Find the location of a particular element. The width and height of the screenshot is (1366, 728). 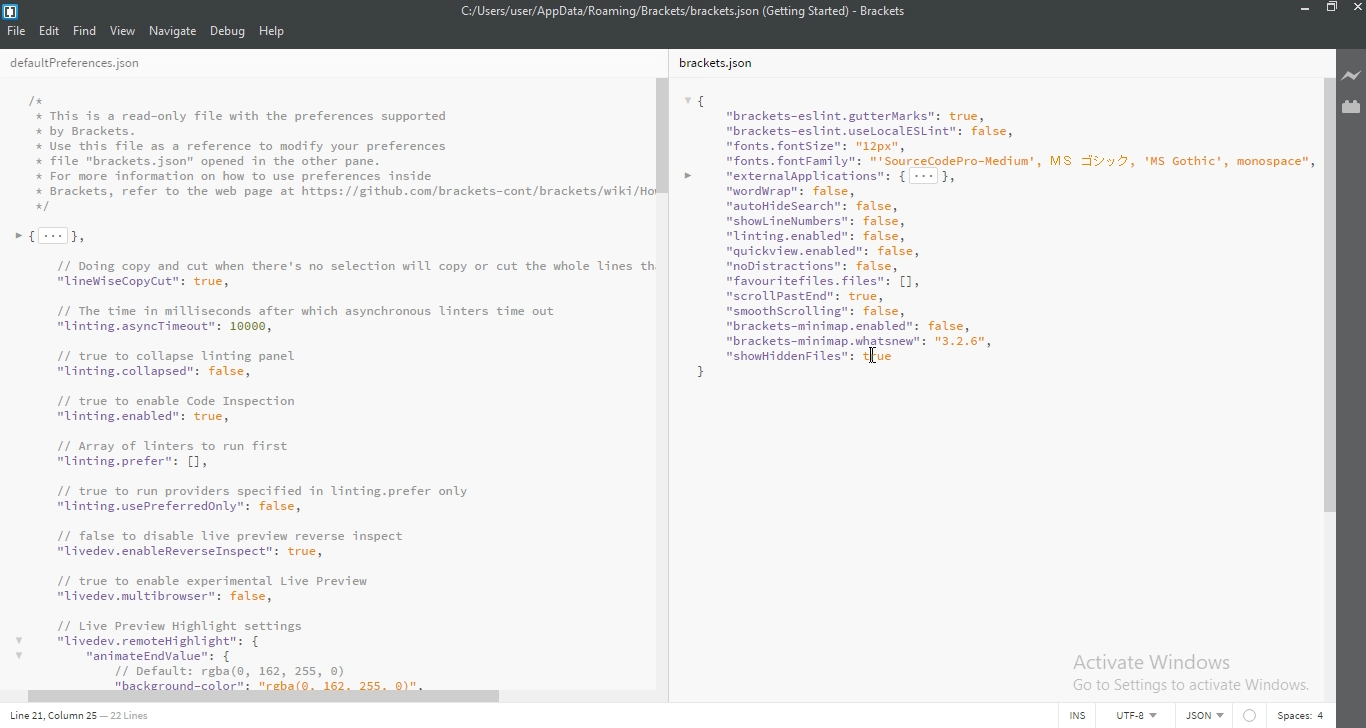

Edit is located at coordinates (49, 31).